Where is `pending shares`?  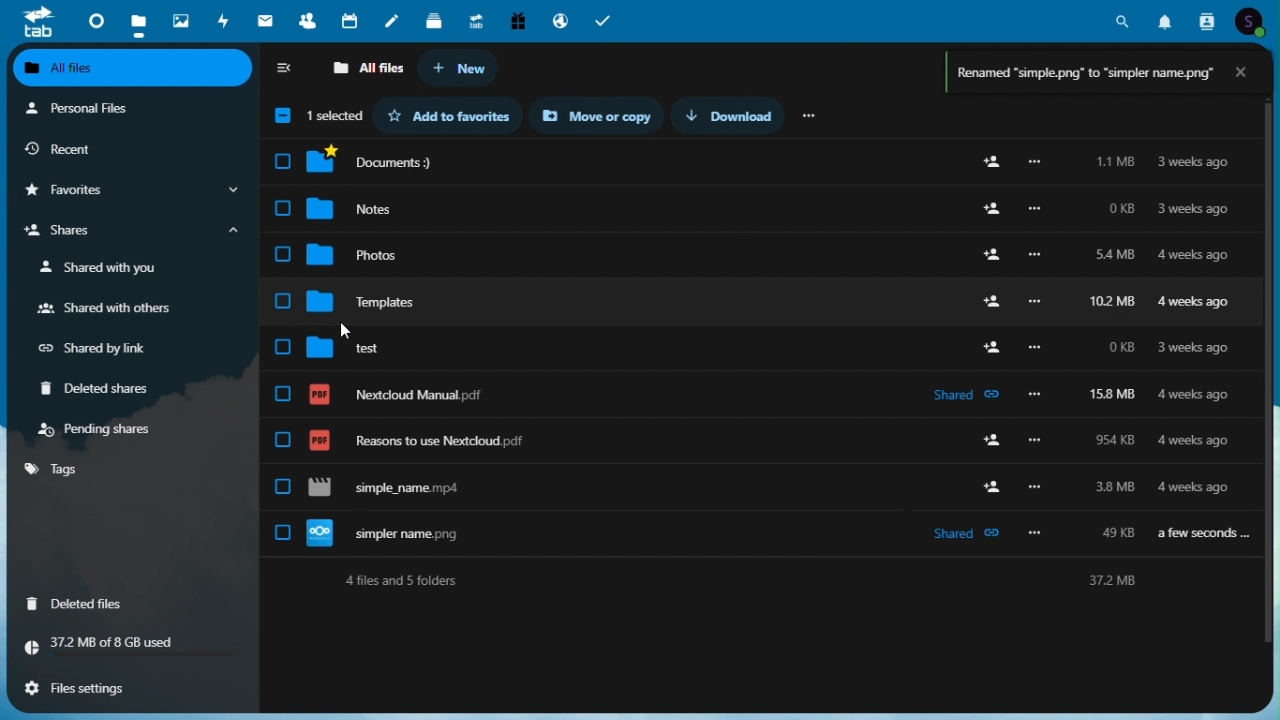 pending shares is located at coordinates (100, 429).